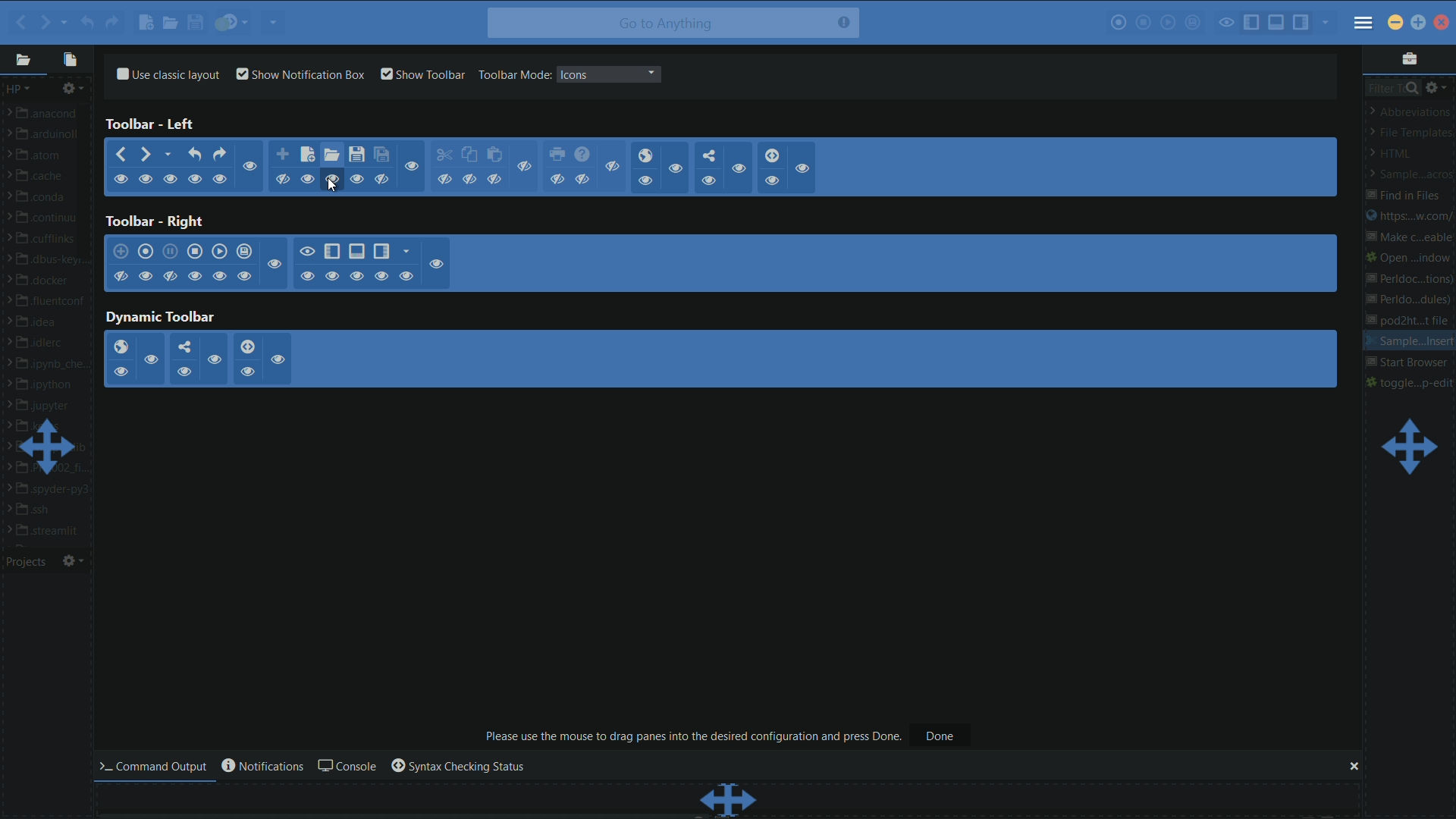 Image resolution: width=1456 pixels, height=819 pixels. I want to click on show/hide, so click(772, 180).